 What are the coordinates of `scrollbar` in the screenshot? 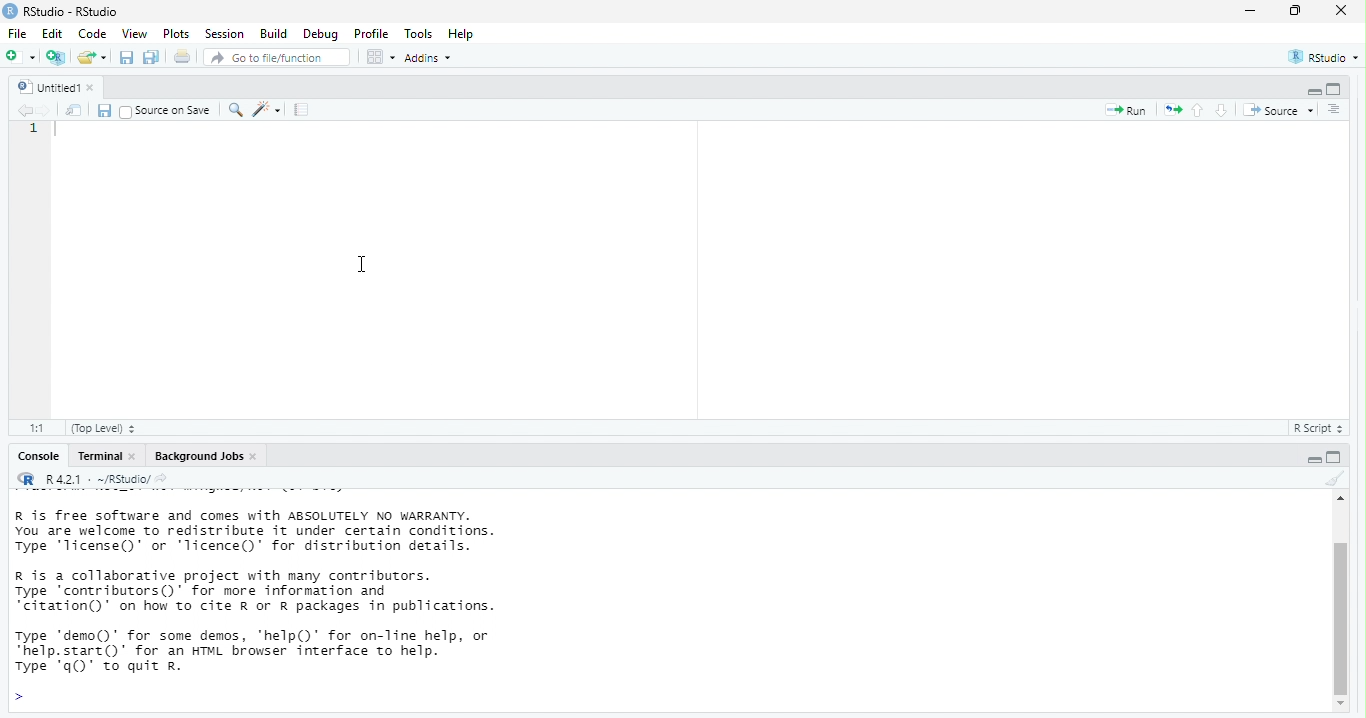 It's located at (1342, 598).